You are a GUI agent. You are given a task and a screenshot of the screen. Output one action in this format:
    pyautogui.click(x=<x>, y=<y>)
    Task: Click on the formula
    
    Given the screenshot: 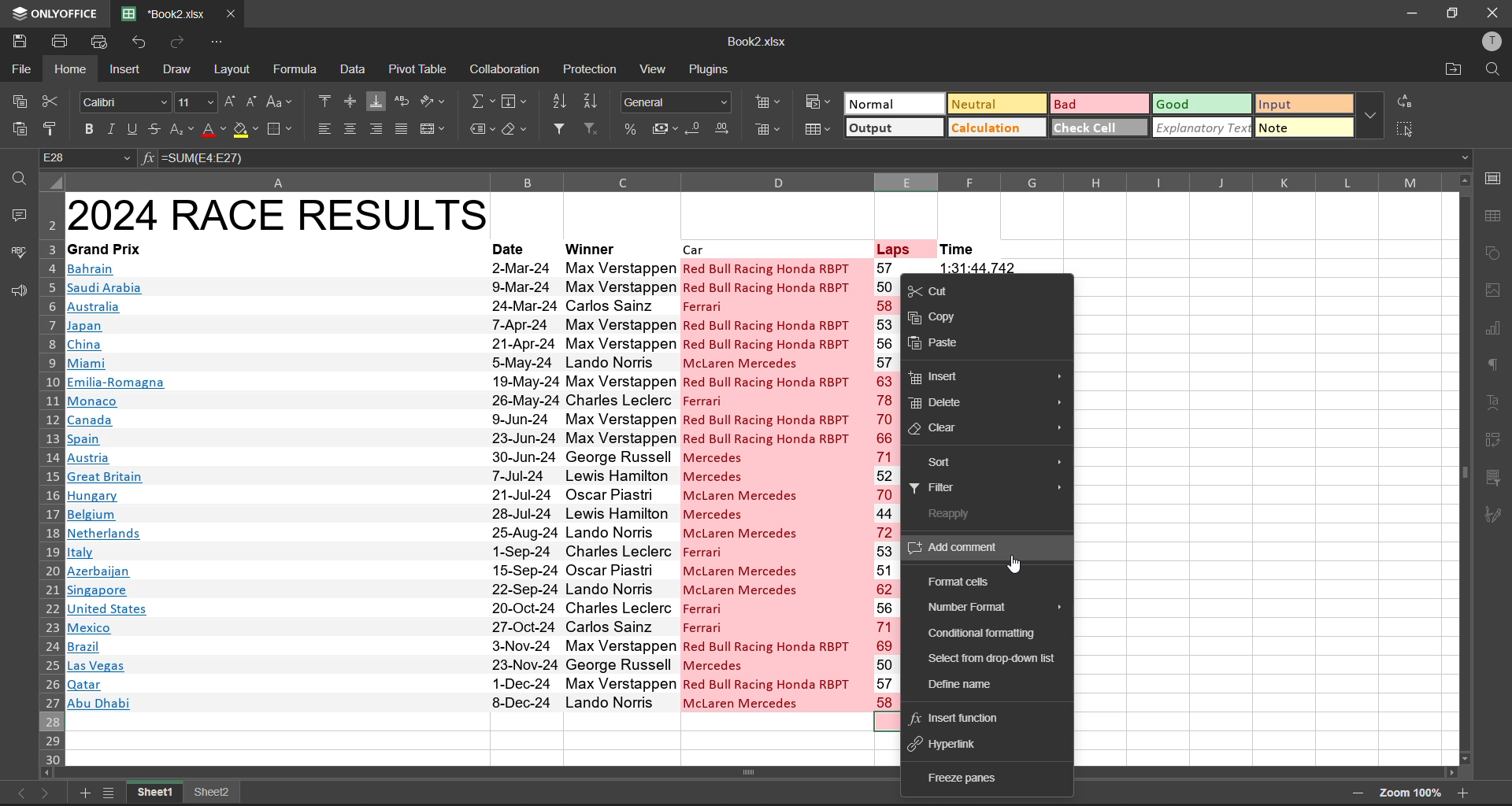 What is the action you would take?
    pyautogui.click(x=294, y=69)
    